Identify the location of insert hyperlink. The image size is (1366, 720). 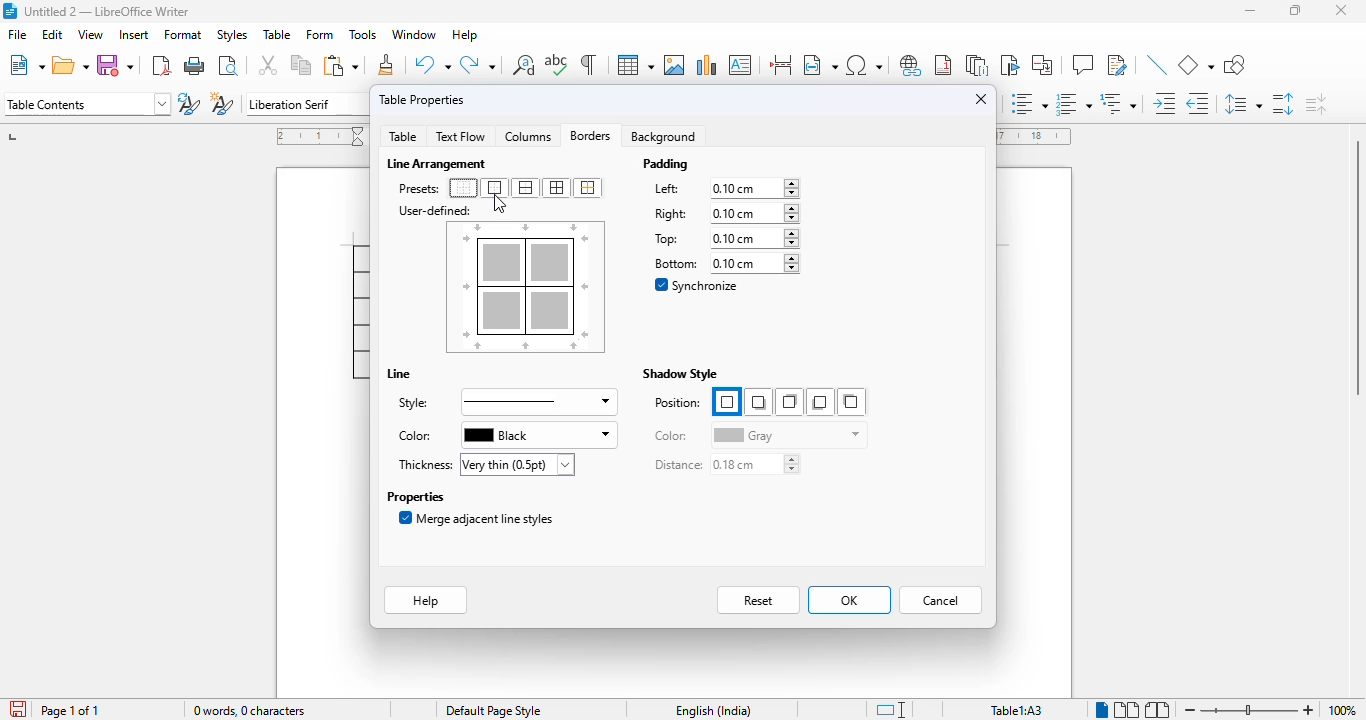
(911, 64).